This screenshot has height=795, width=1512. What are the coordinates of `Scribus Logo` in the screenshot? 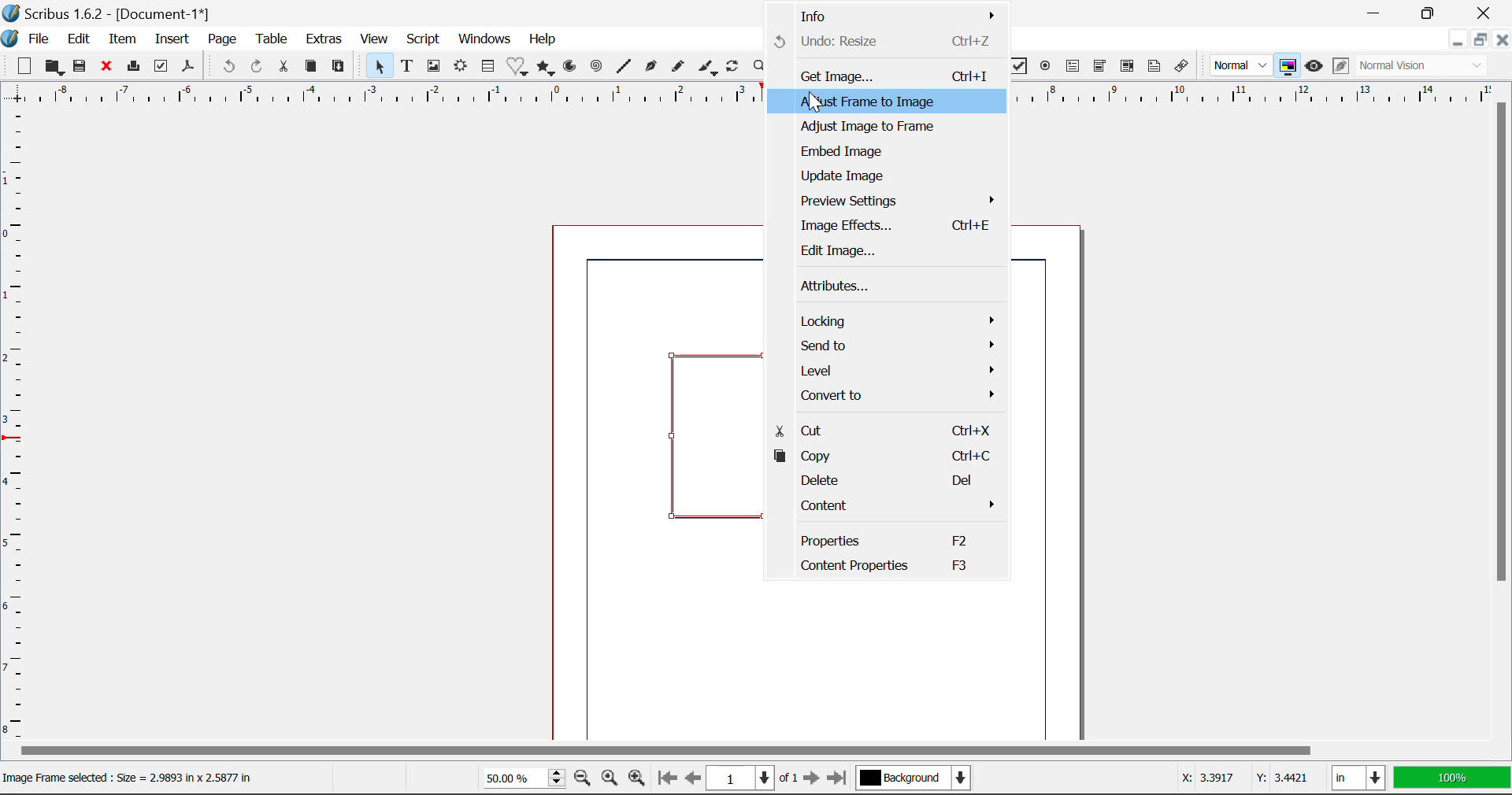 It's located at (9, 39).